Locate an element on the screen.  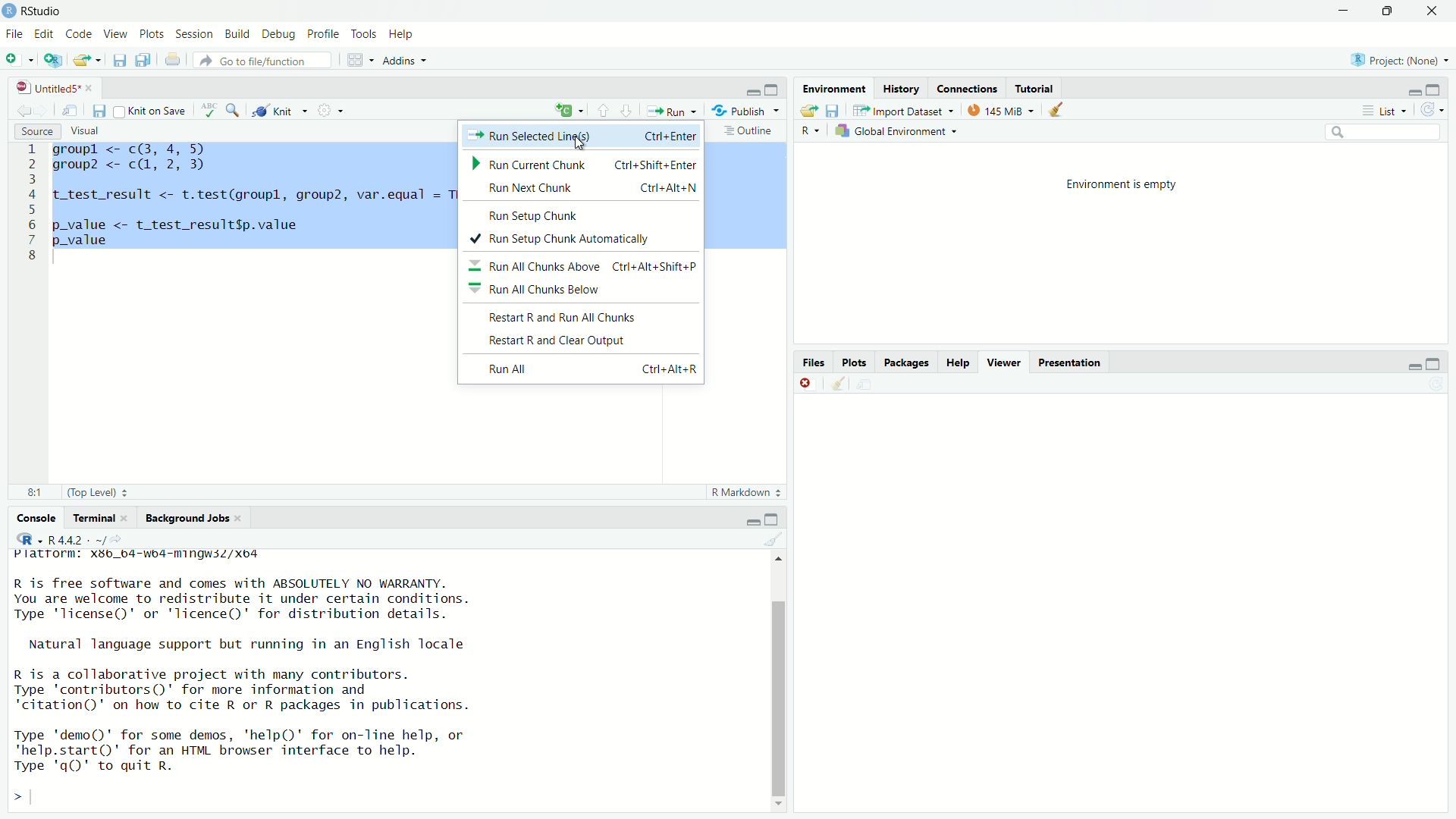
OPEN AN EXISTING FILE is located at coordinates (86, 60).